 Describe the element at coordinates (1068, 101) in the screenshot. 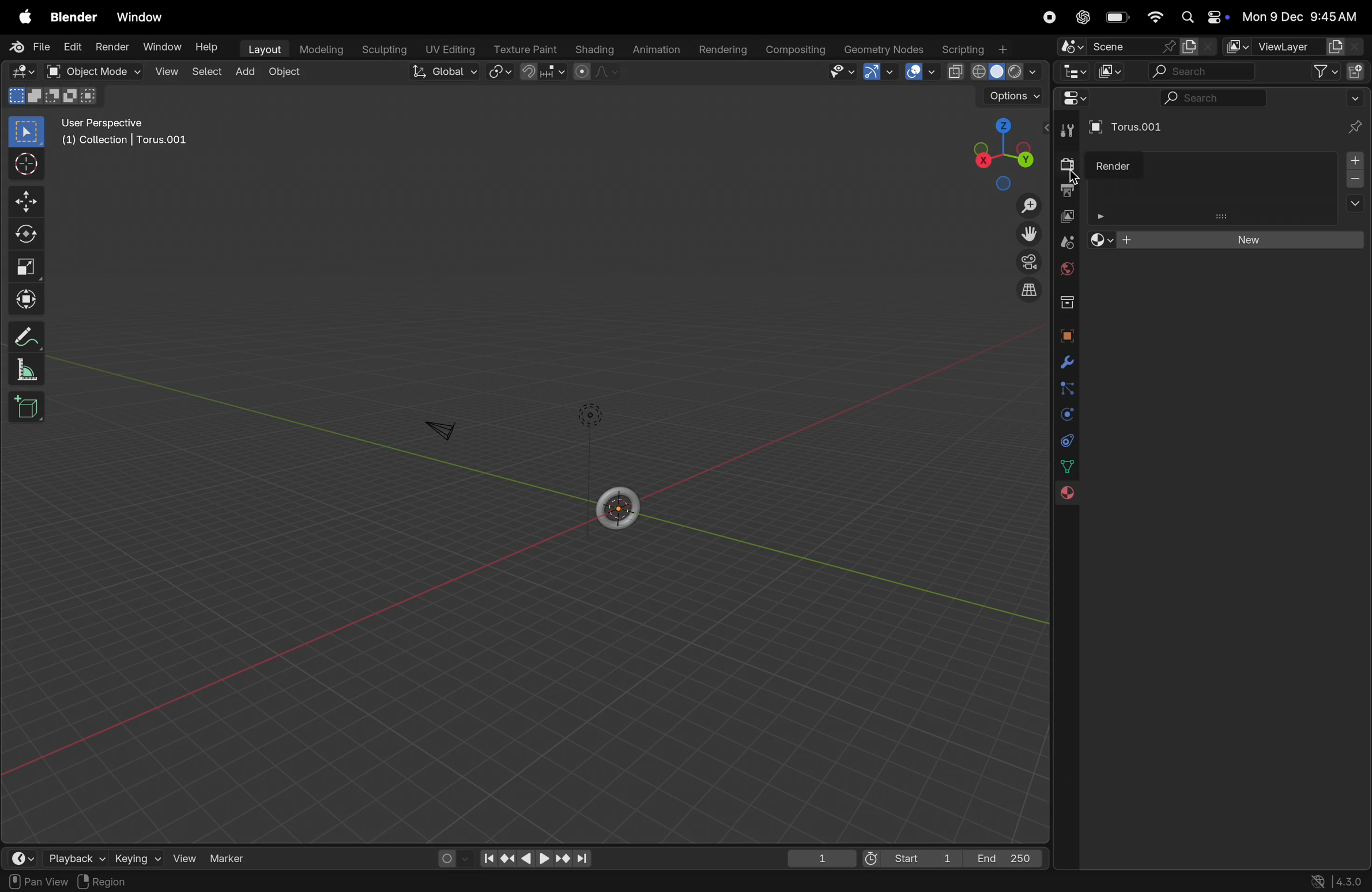

I see `editor type` at that location.